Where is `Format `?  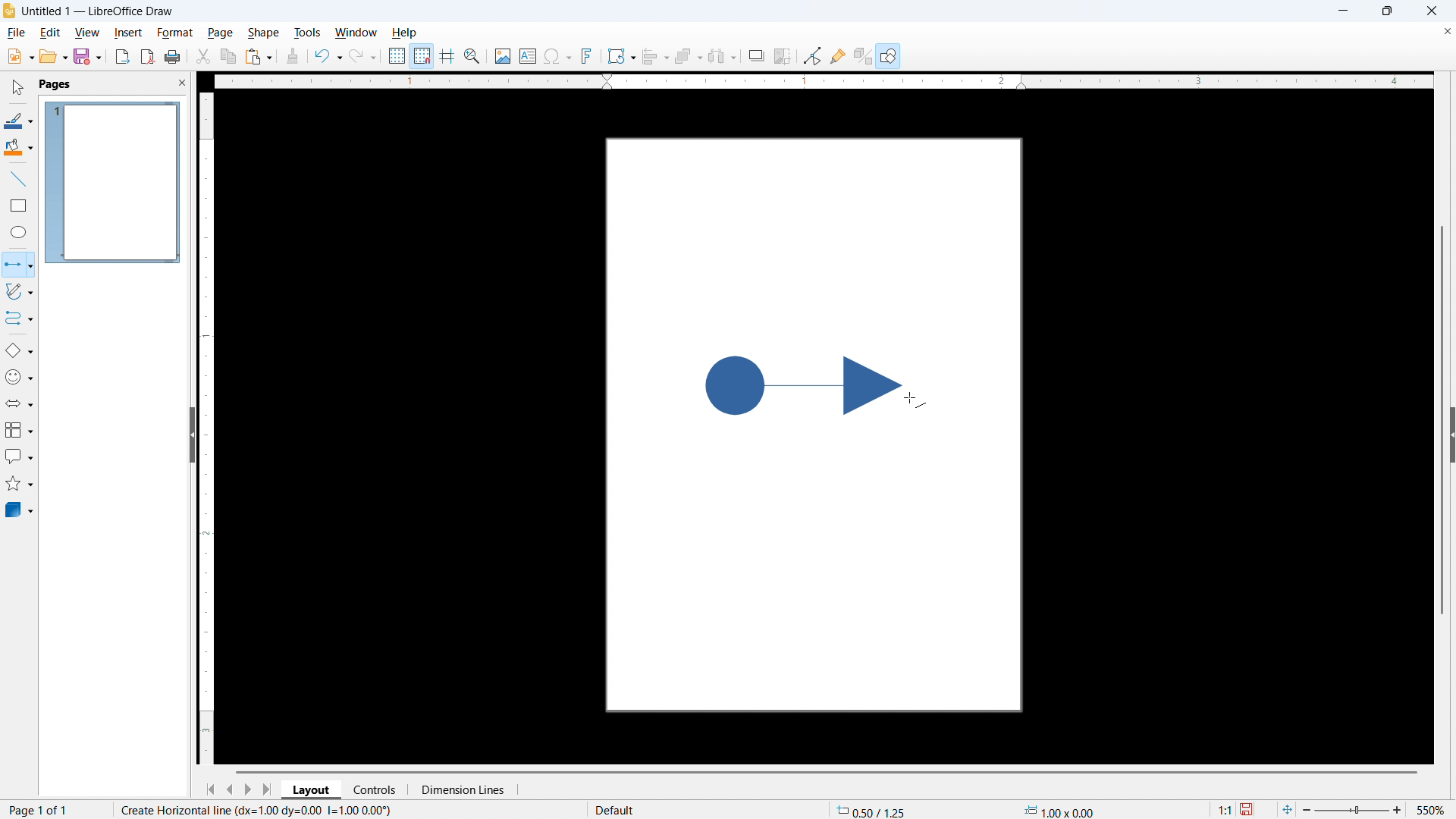
Format  is located at coordinates (174, 32).